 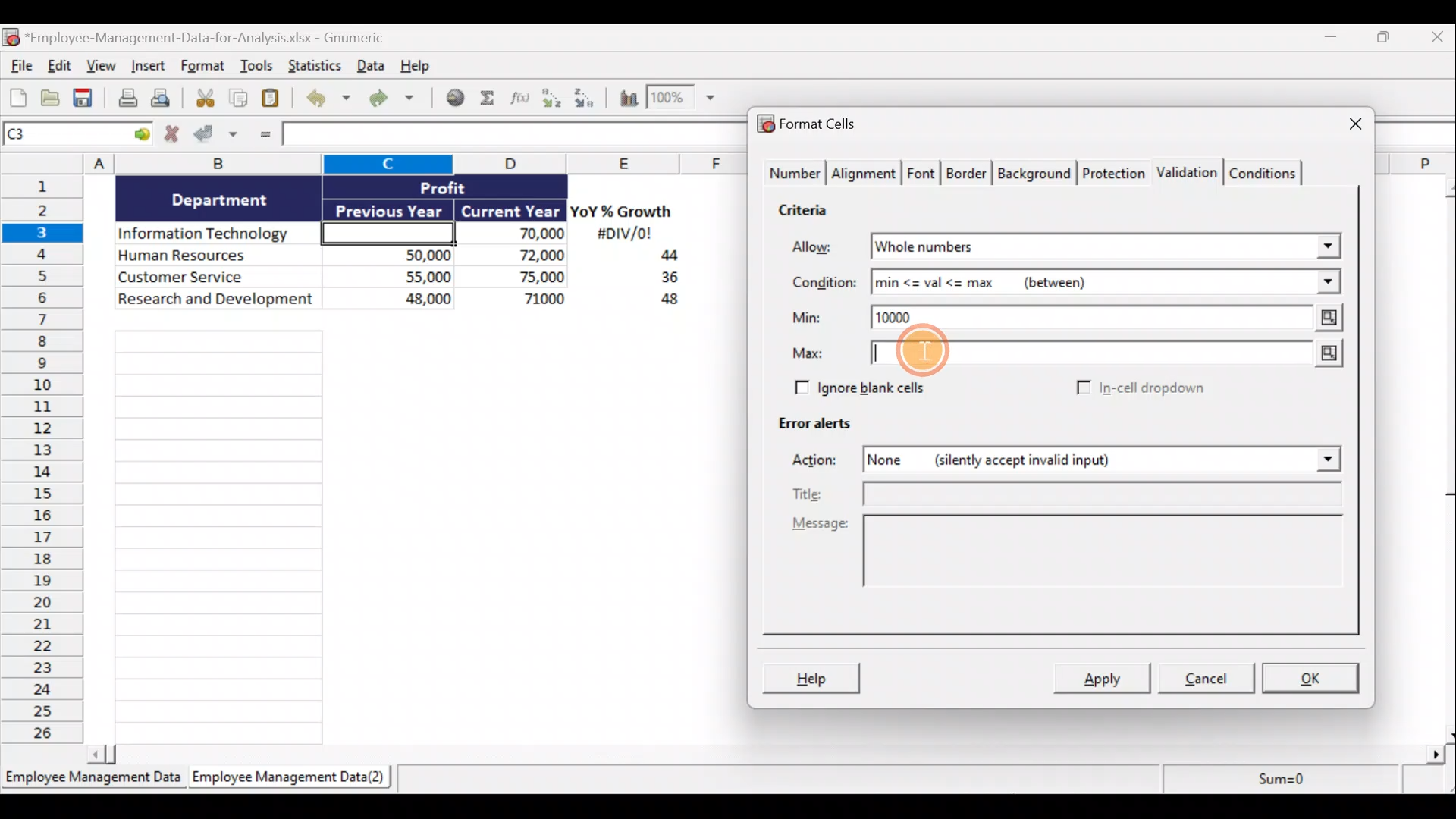 What do you see at coordinates (262, 136) in the screenshot?
I see `Enter formula` at bounding box center [262, 136].